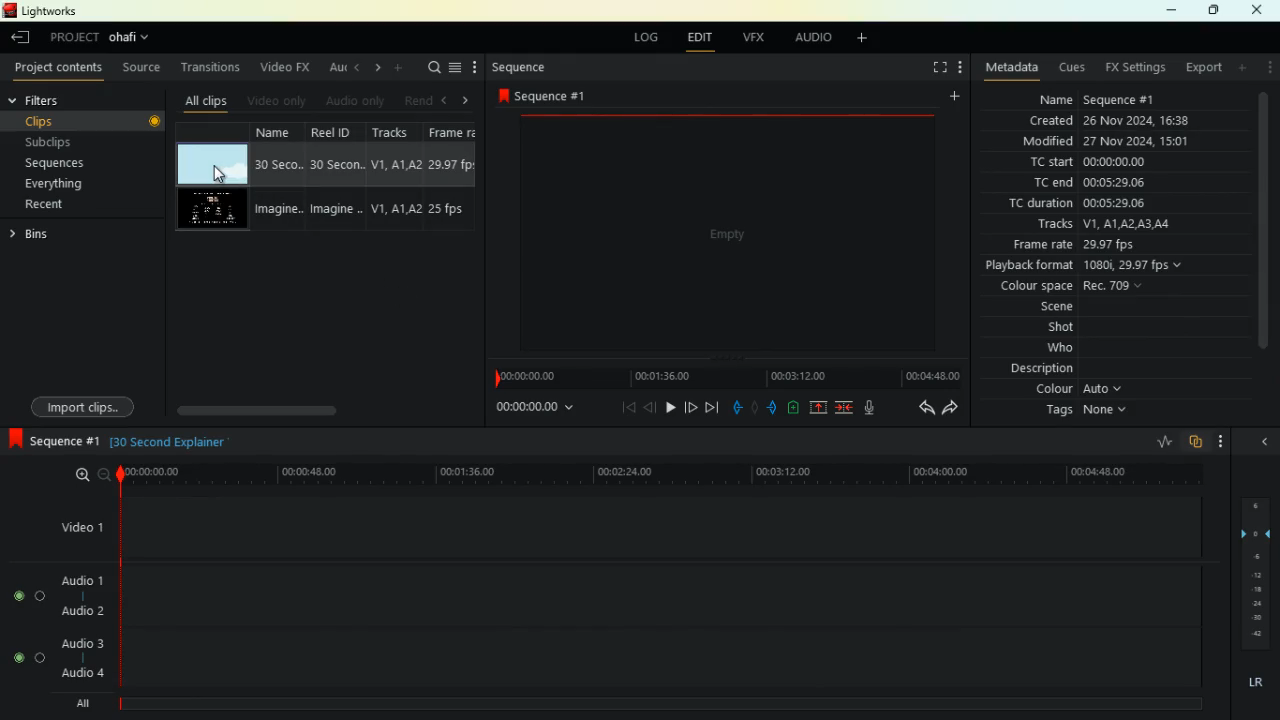 This screenshot has width=1280, height=720. What do you see at coordinates (843, 407) in the screenshot?
I see `merge` at bounding box center [843, 407].